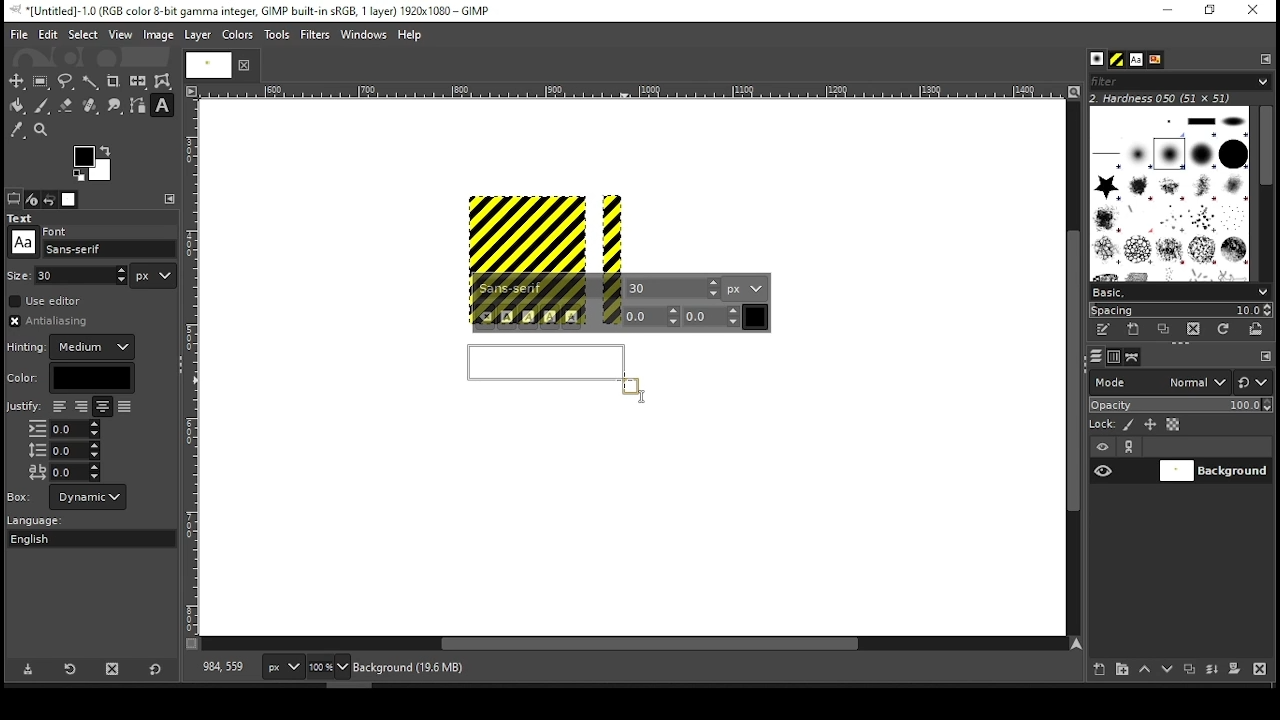  What do you see at coordinates (48, 34) in the screenshot?
I see `edit` at bounding box center [48, 34].